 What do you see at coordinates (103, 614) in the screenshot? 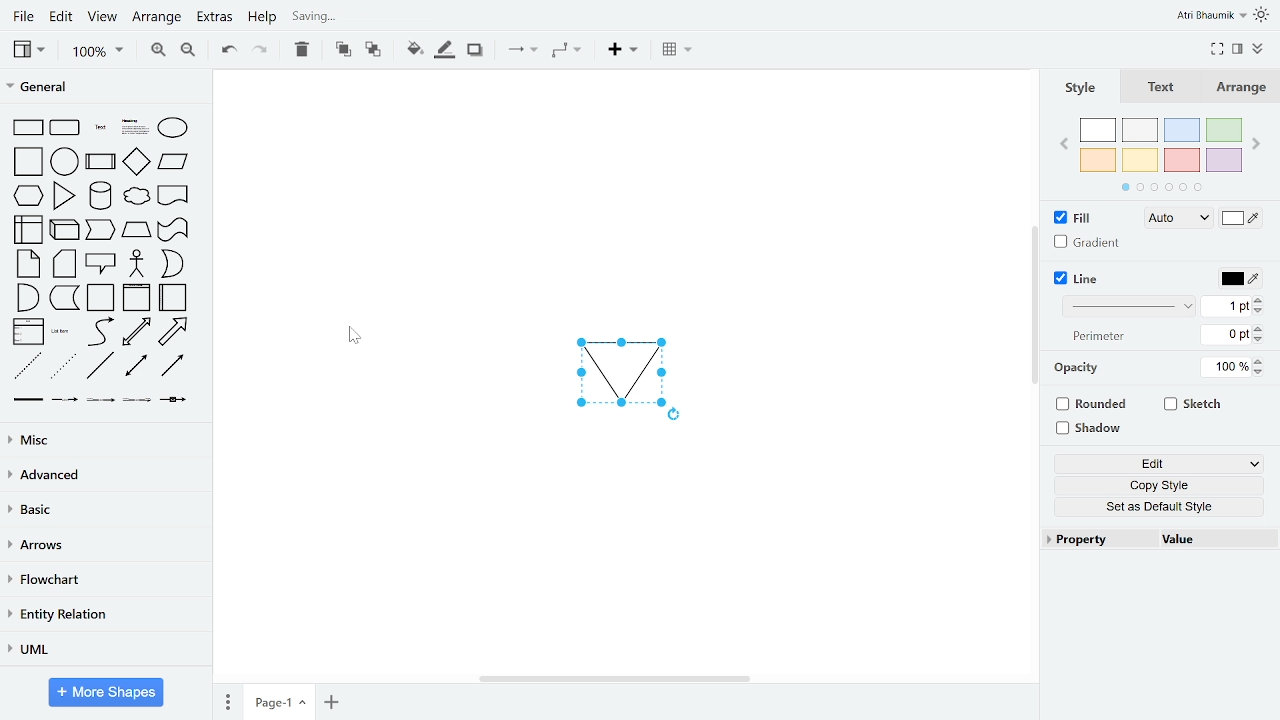
I see `entity relation` at bounding box center [103, 614].